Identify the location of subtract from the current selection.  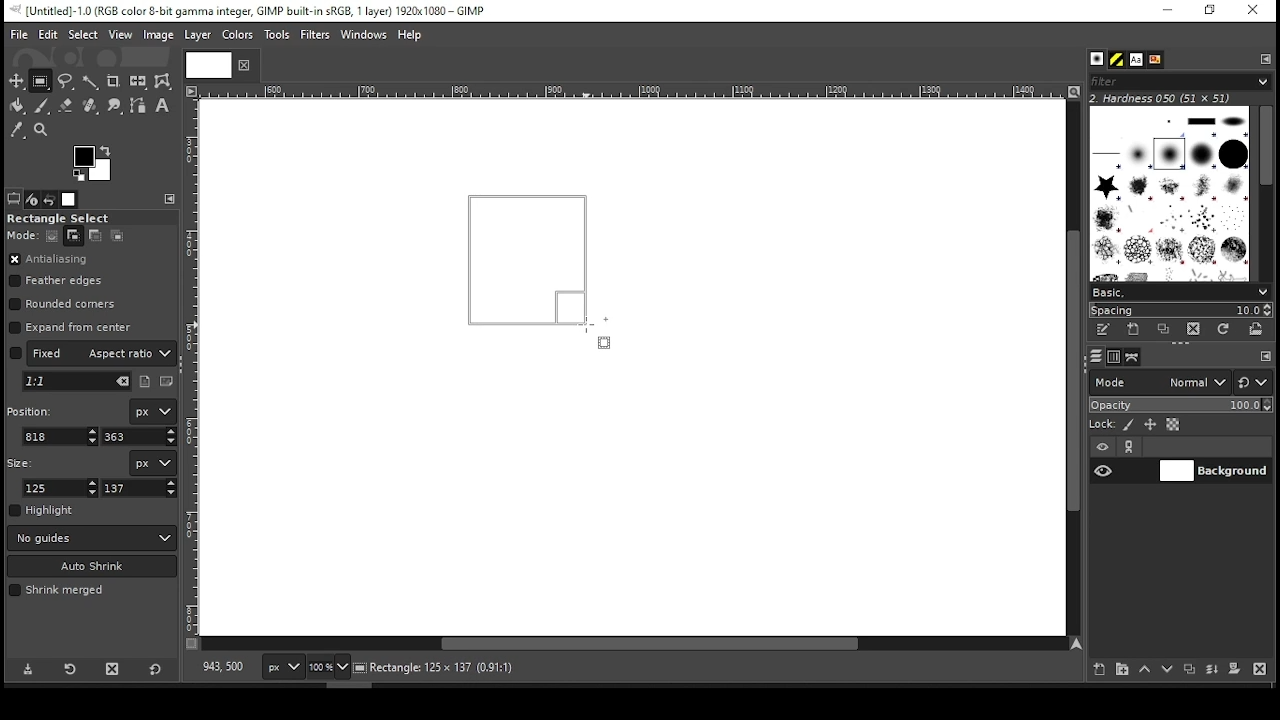
(94, 236).